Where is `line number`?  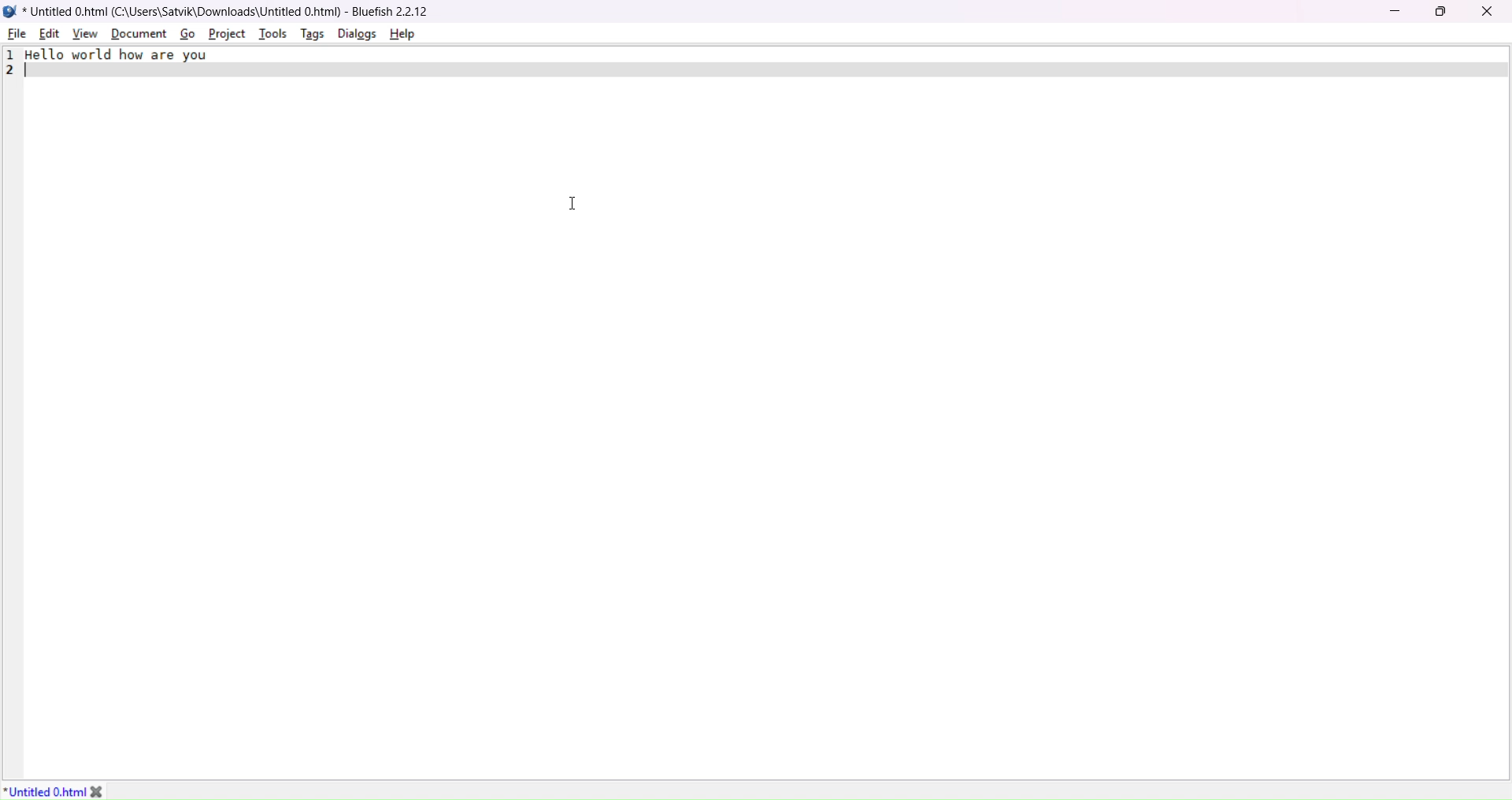 line number is located at coordinates (10, 63).